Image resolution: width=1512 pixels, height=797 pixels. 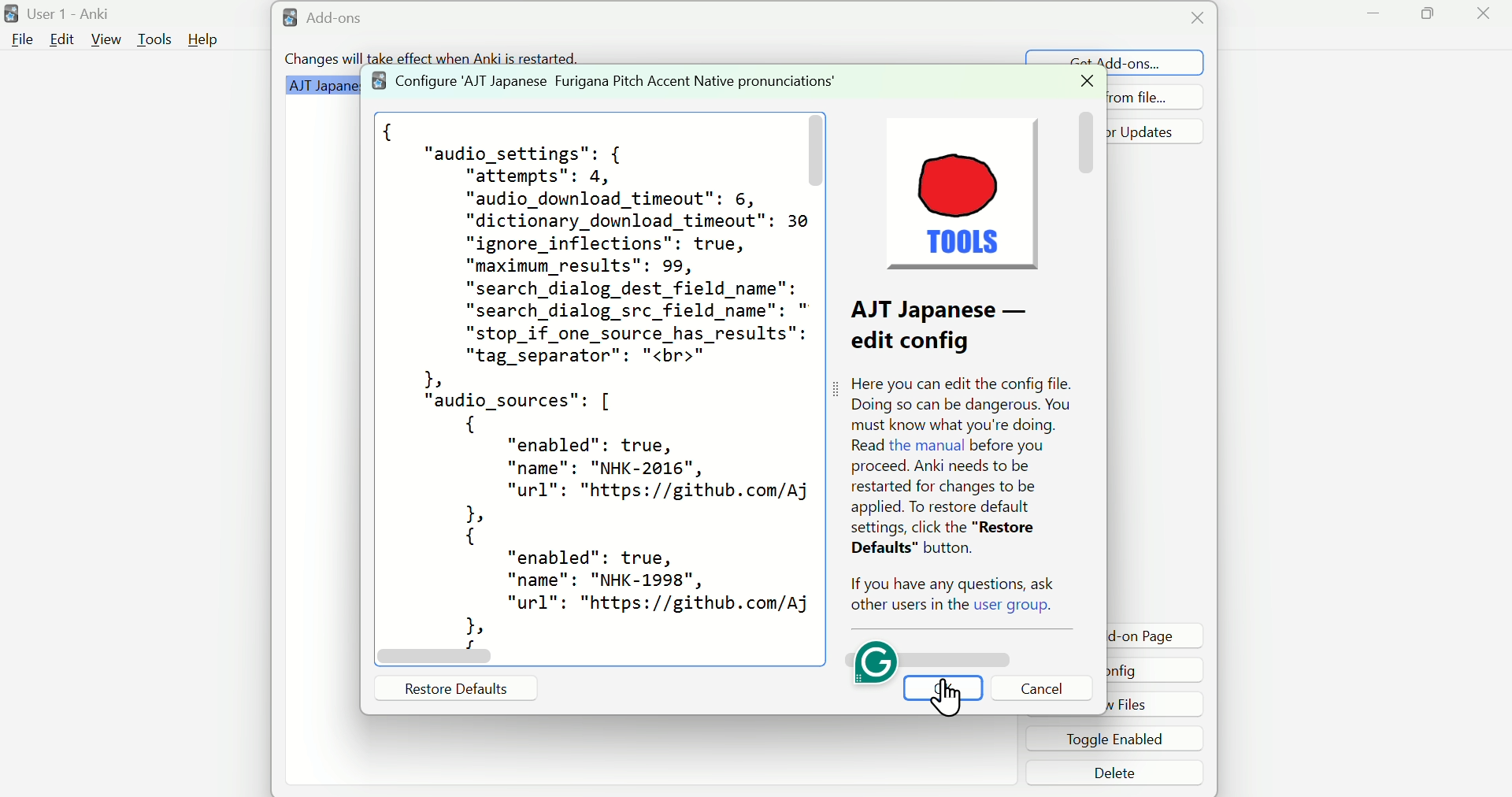 I want to click on Tools, so click(x=962, y=365).